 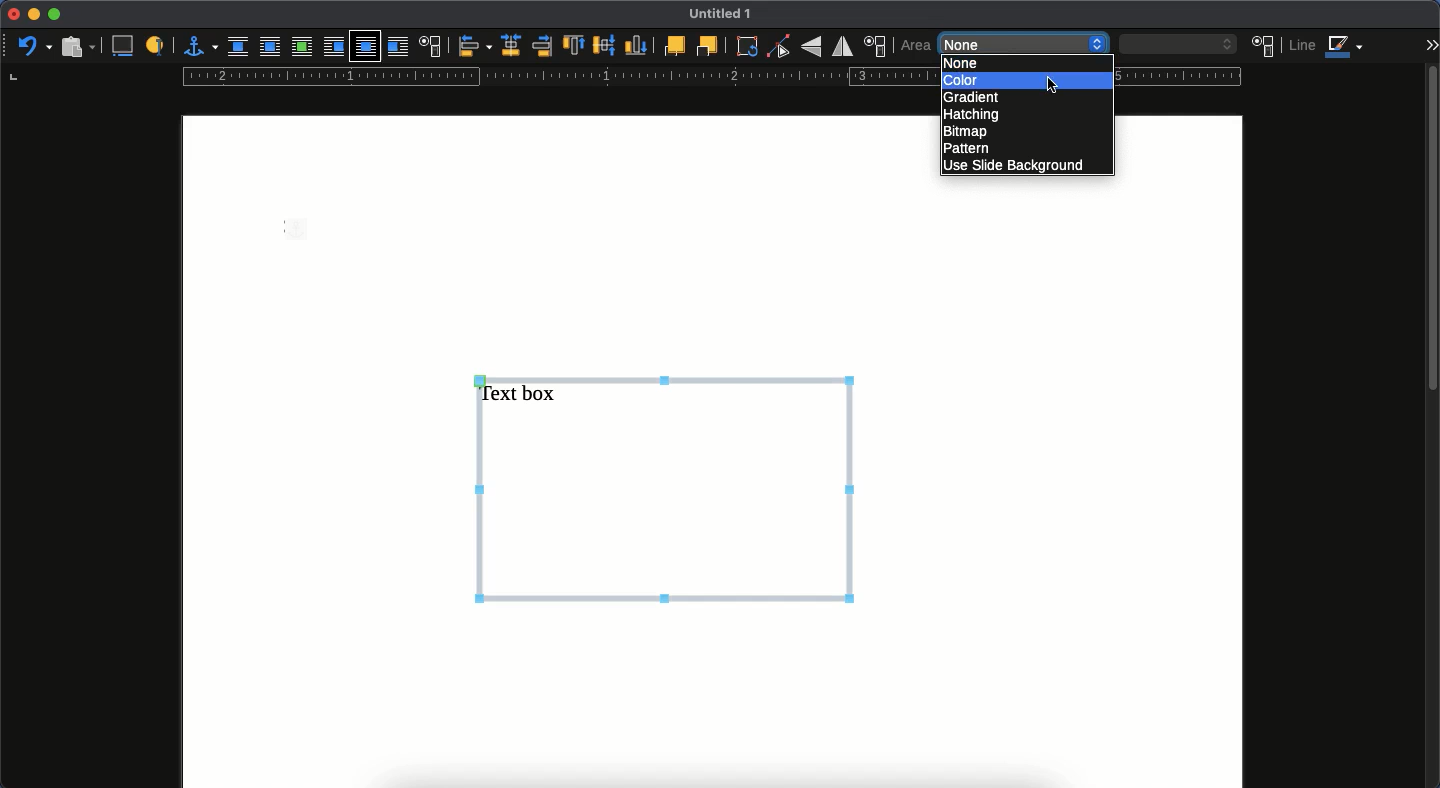 What do you see at coordinates (1264, 45) in the screenshot?
I see `area` at bounding box center [1264, 45].